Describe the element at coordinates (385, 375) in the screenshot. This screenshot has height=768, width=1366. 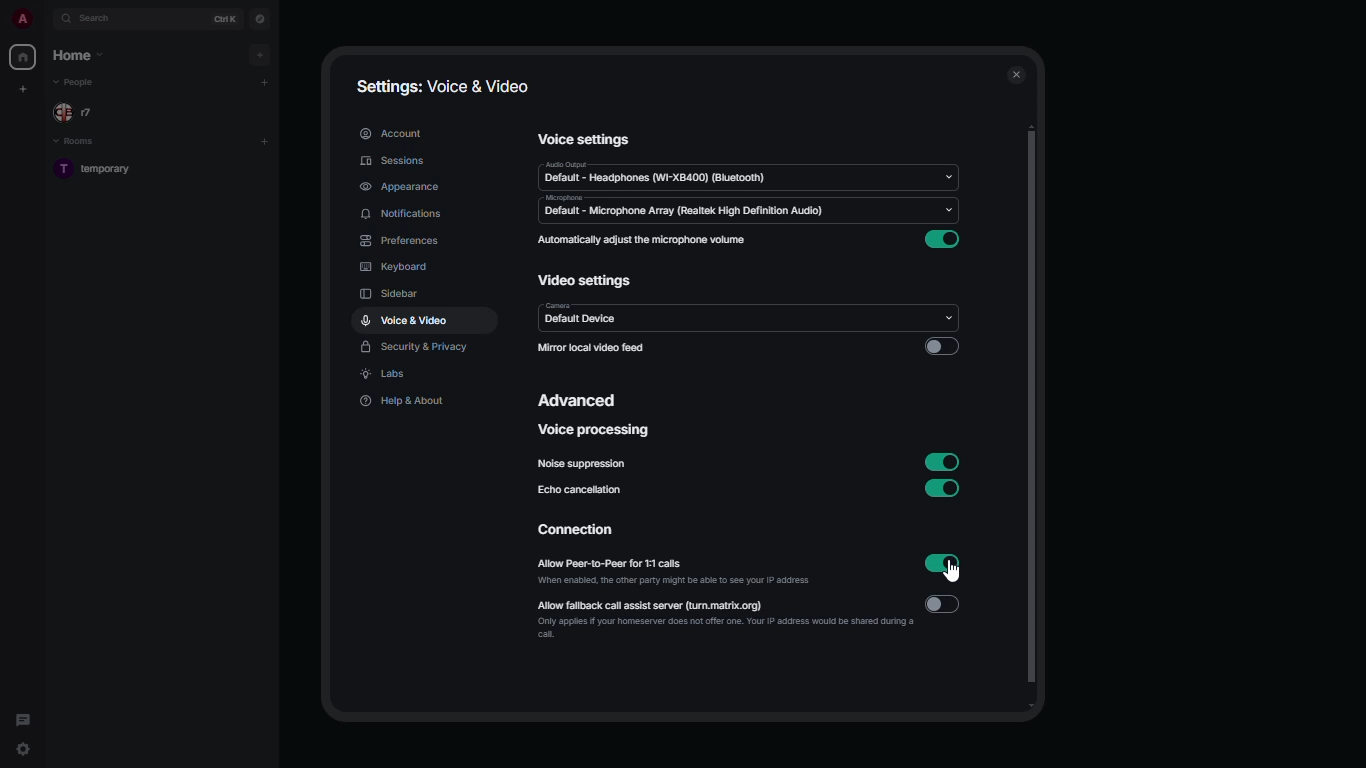
I see `labs` at that location.